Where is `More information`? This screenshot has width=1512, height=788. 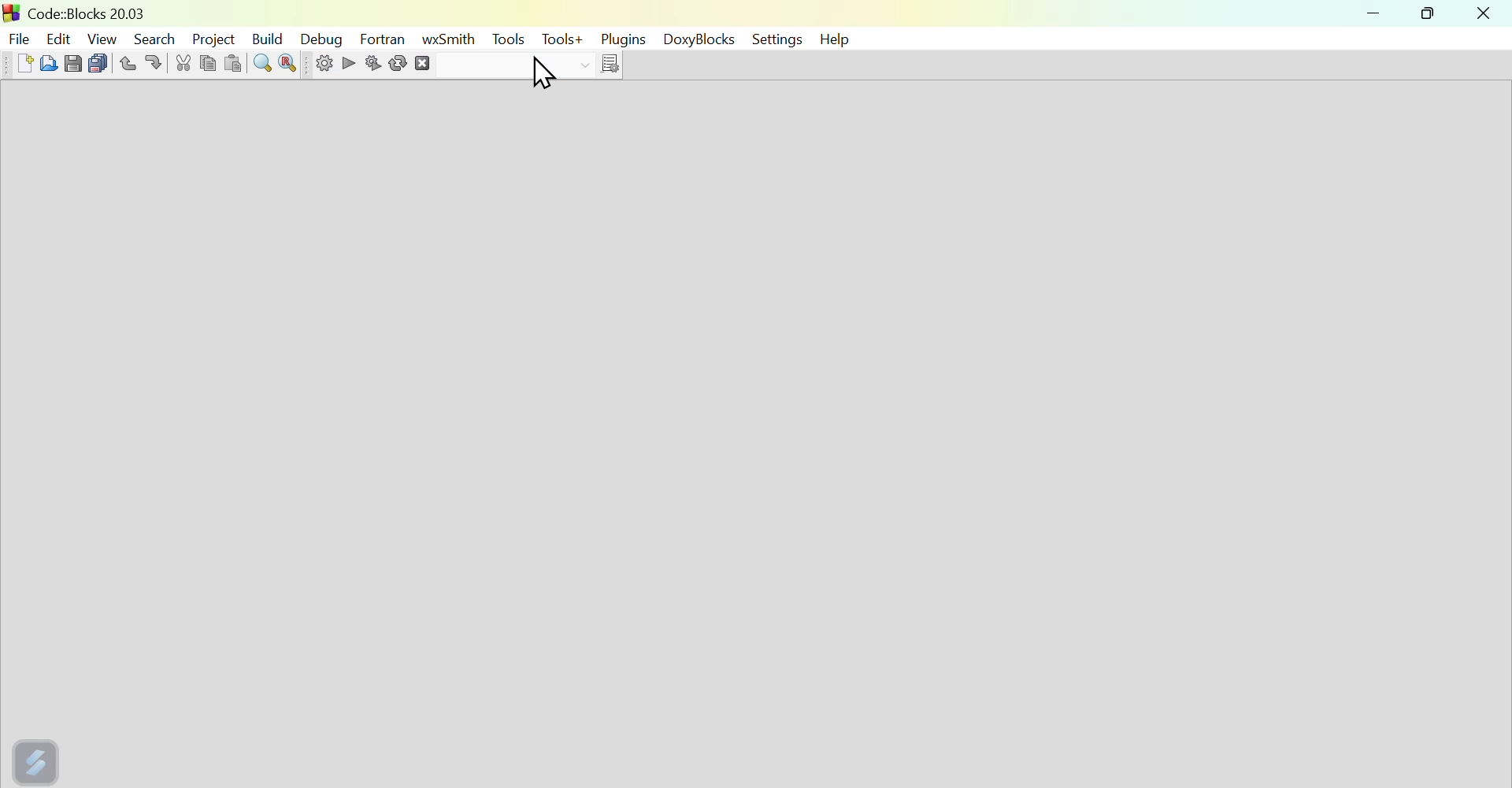 More information is located at coordinates (601, 65).